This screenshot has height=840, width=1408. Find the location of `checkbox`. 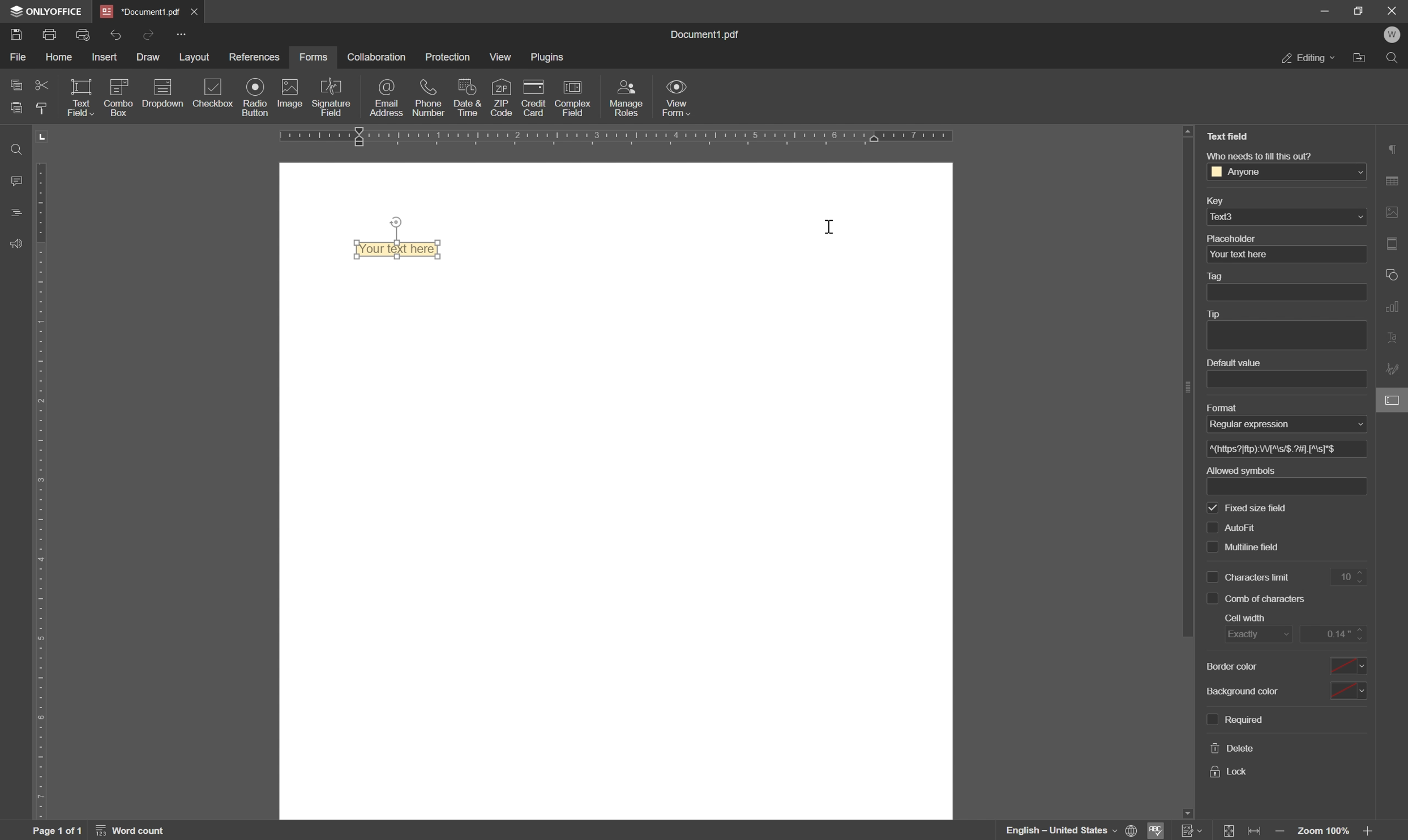

checkbox is located at coordinates (1214, 507).